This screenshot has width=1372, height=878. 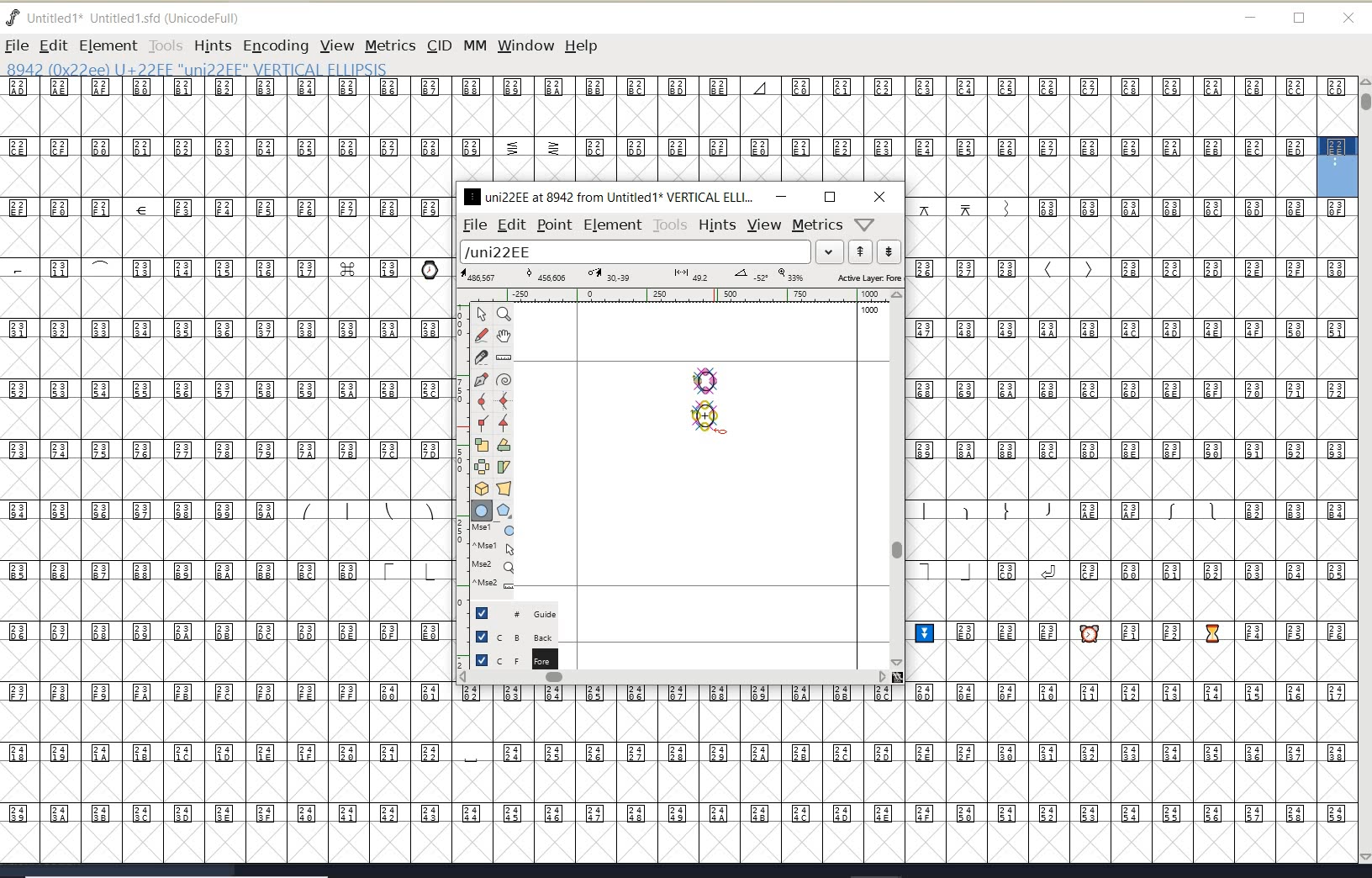 What do you see at coordinates (276, 46) in the screenshot?
I see `ENCODING` at bounding box center [276, 46].